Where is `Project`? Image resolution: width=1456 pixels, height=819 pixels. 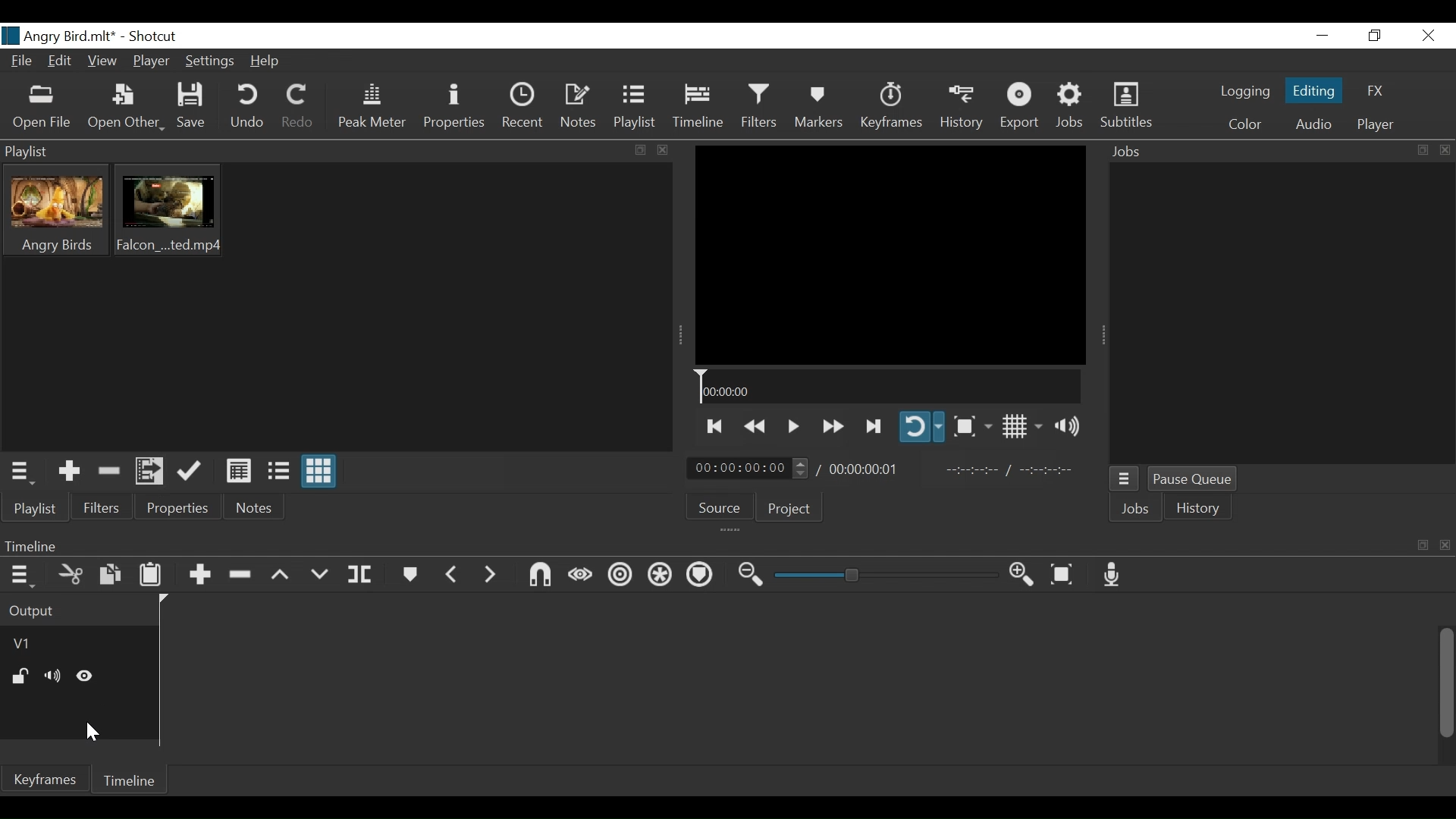
Project is located at coordinates (789, 509).